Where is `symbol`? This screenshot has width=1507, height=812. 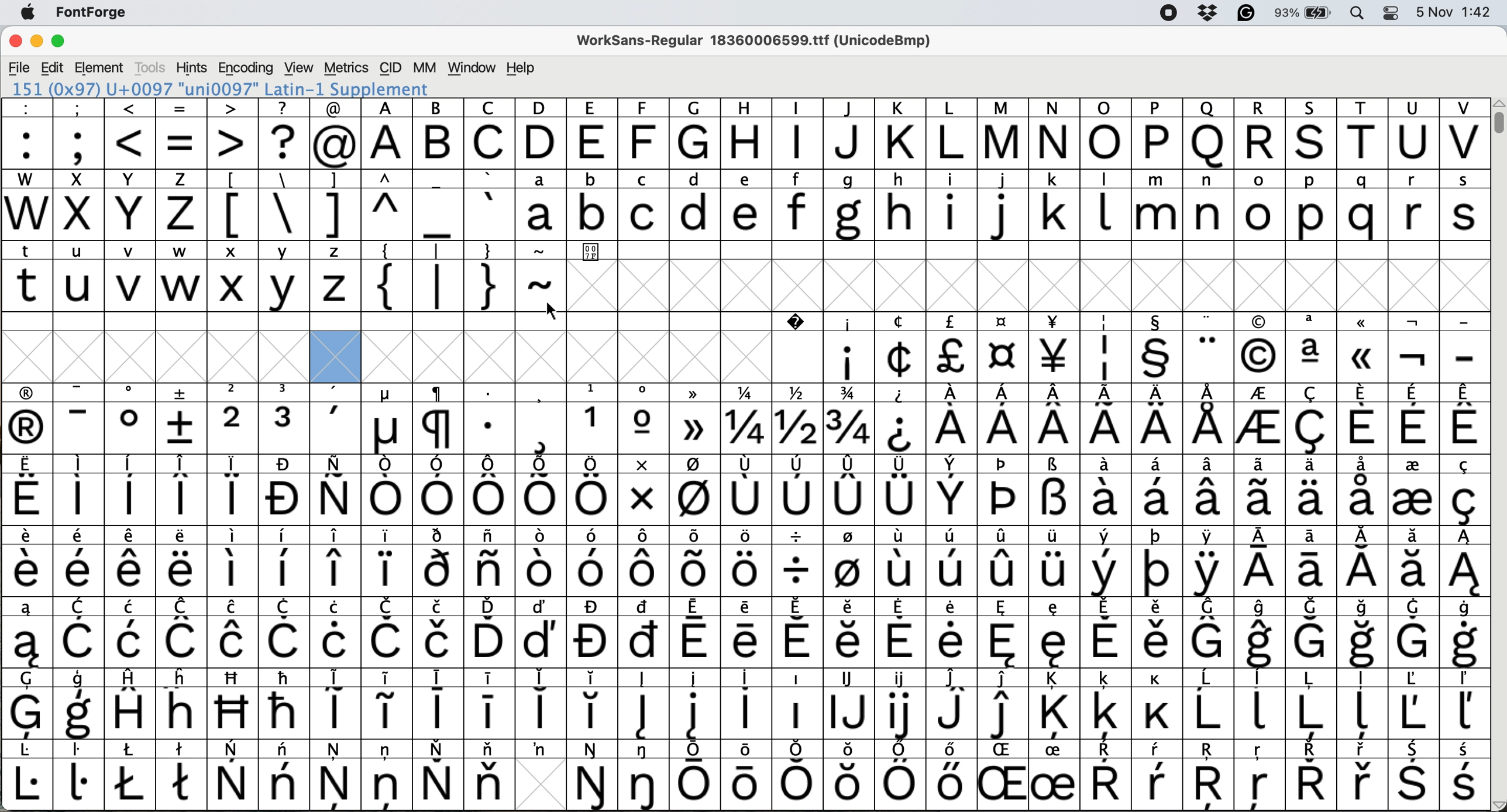
symbol is located at coordinates (1262, 633).